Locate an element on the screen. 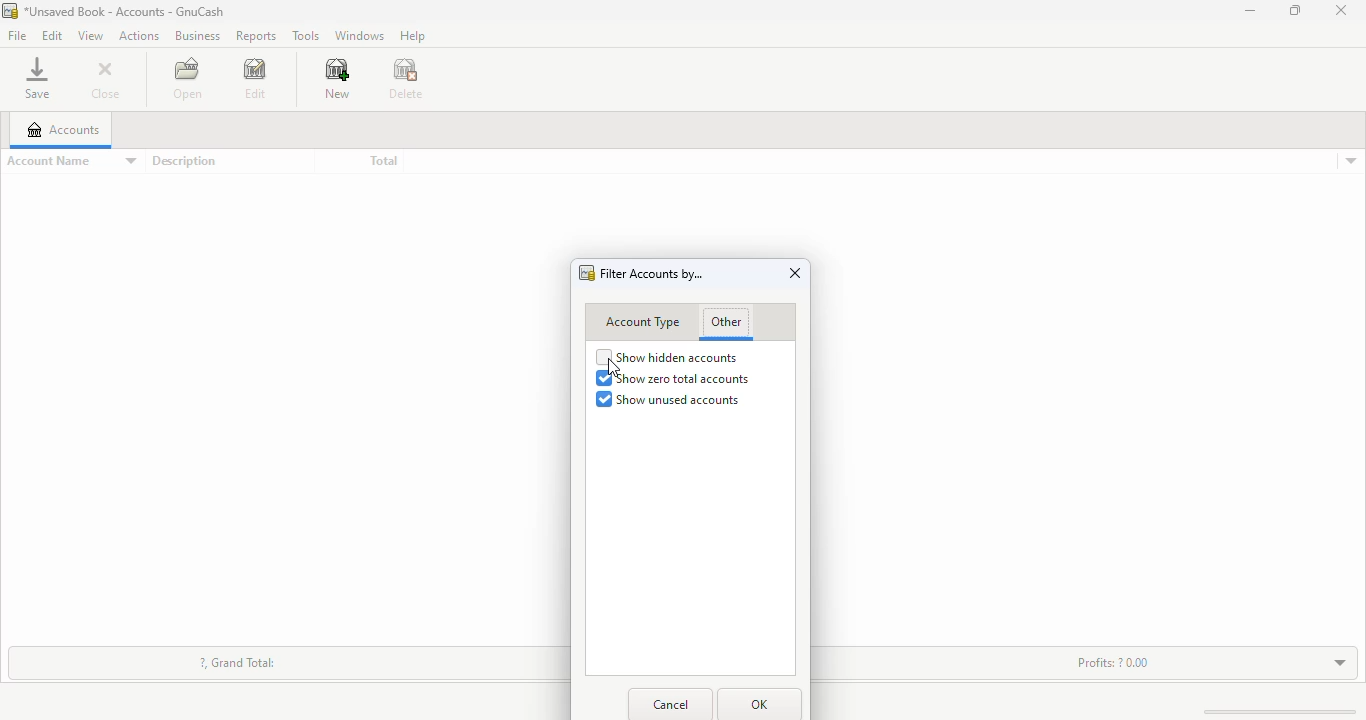  reports is located at coordinates (255, 37).